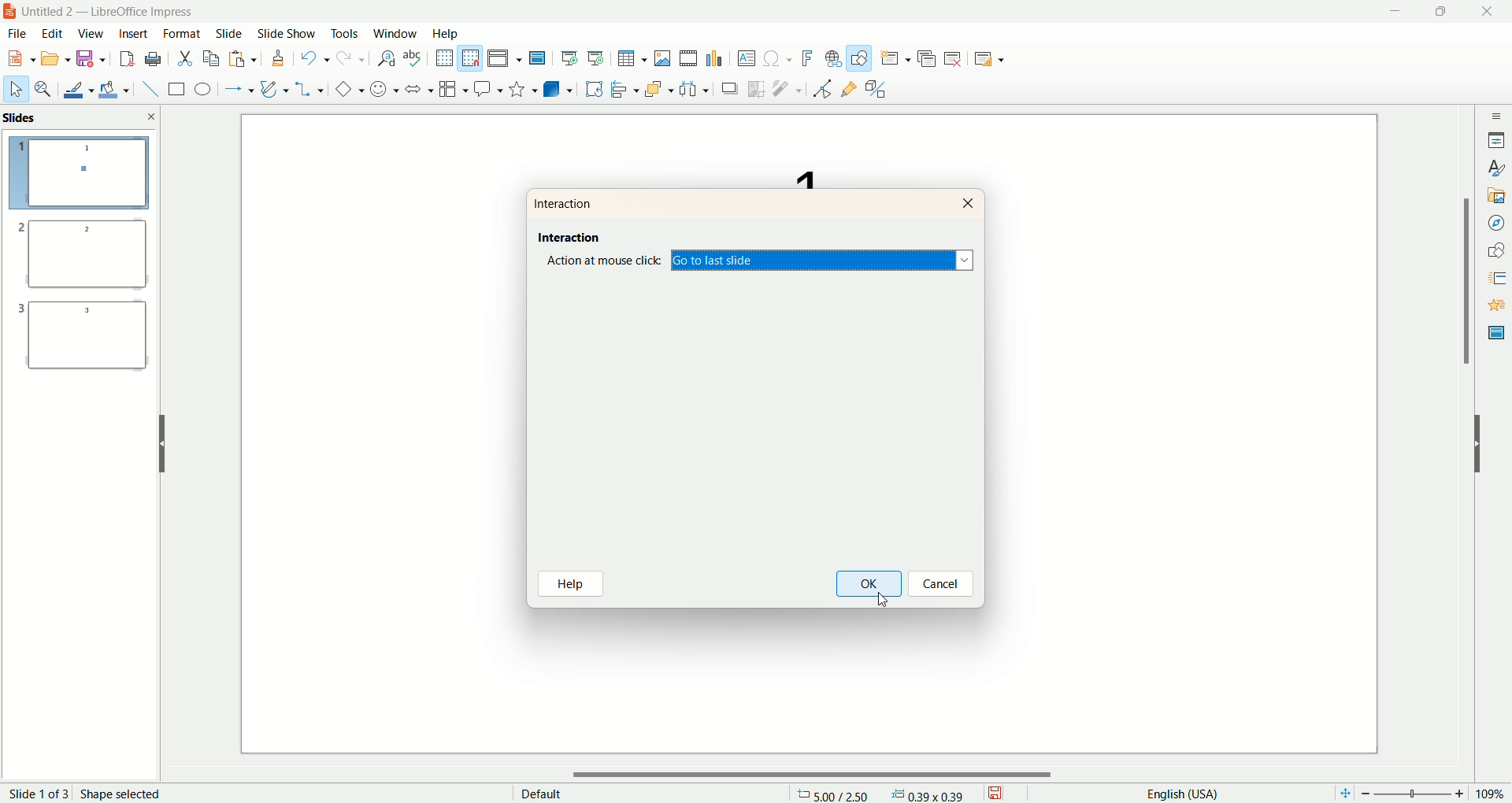 The width and height of the screenshot is (1512, 803). What do you see at coordinates (80, 175) in the screenshot?
I see `slide 1` at bounding box center [80, 175].